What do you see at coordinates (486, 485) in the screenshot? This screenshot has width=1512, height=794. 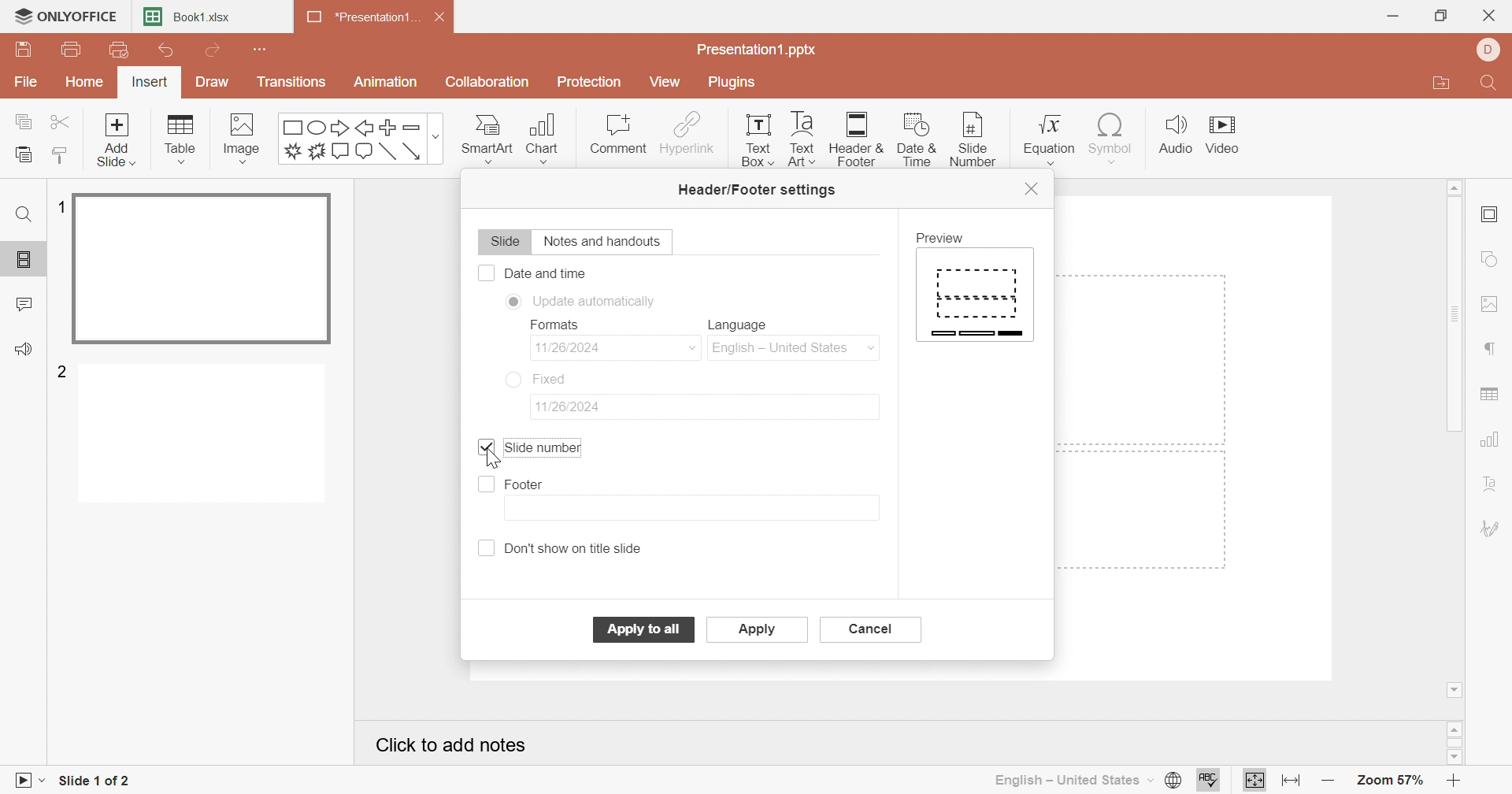 I see `Checkbox` at bounding box center [486, 485].